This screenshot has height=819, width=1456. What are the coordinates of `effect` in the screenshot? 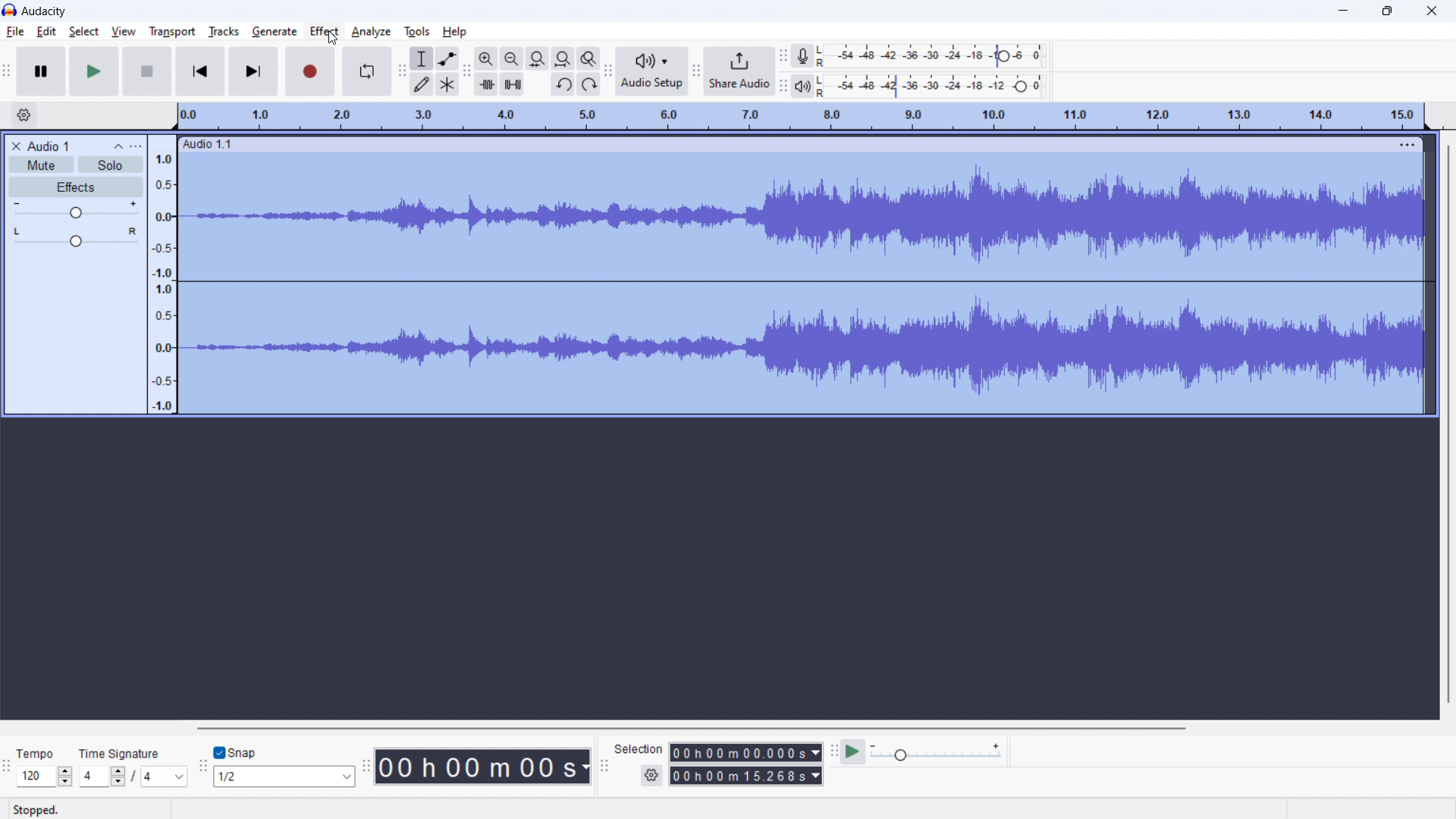 It's located at (325, 32).